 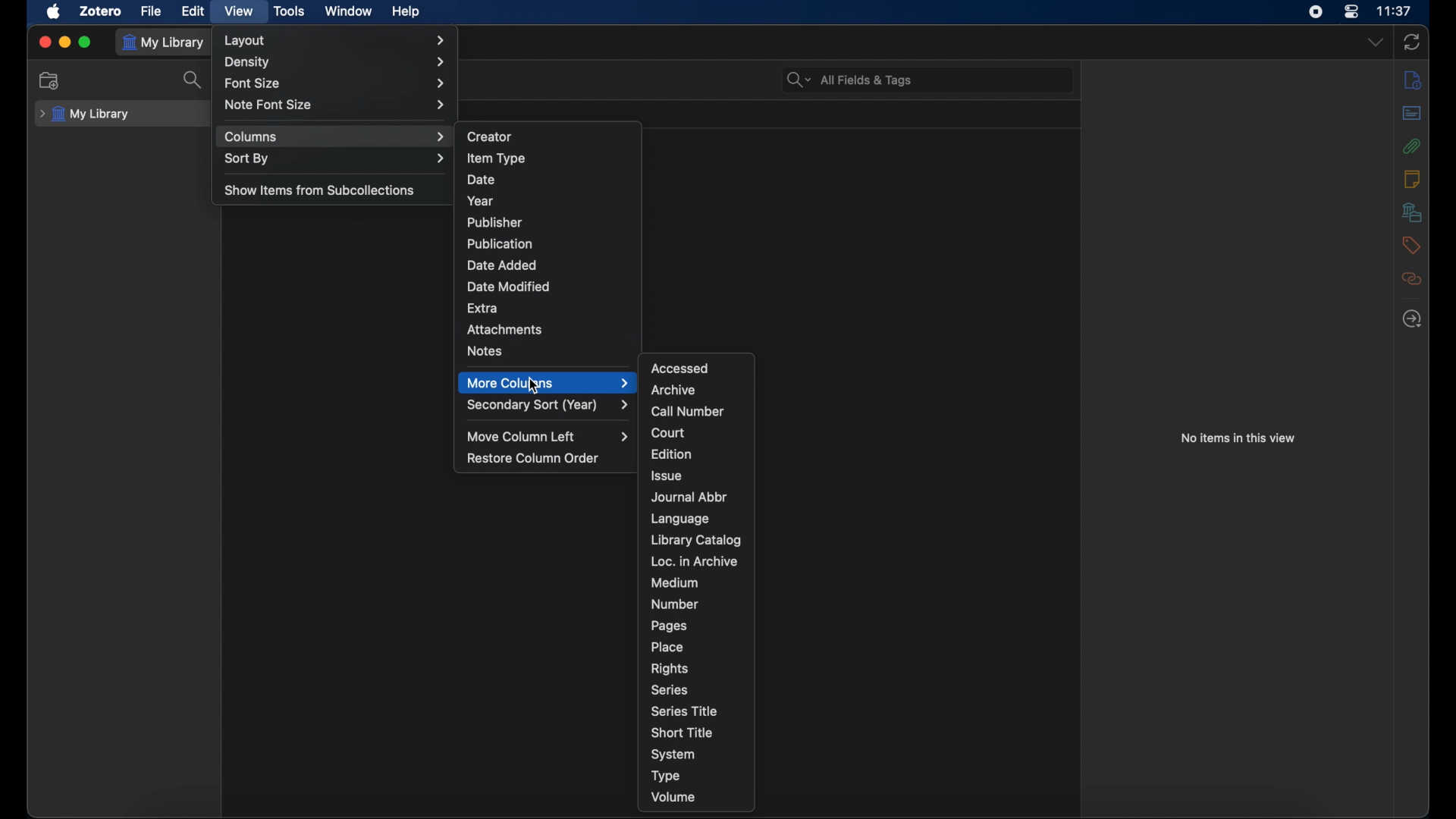 What do you see at coordinates (485, 350) in the screenshot?
I see `notes` at bounding box center [485, 350].